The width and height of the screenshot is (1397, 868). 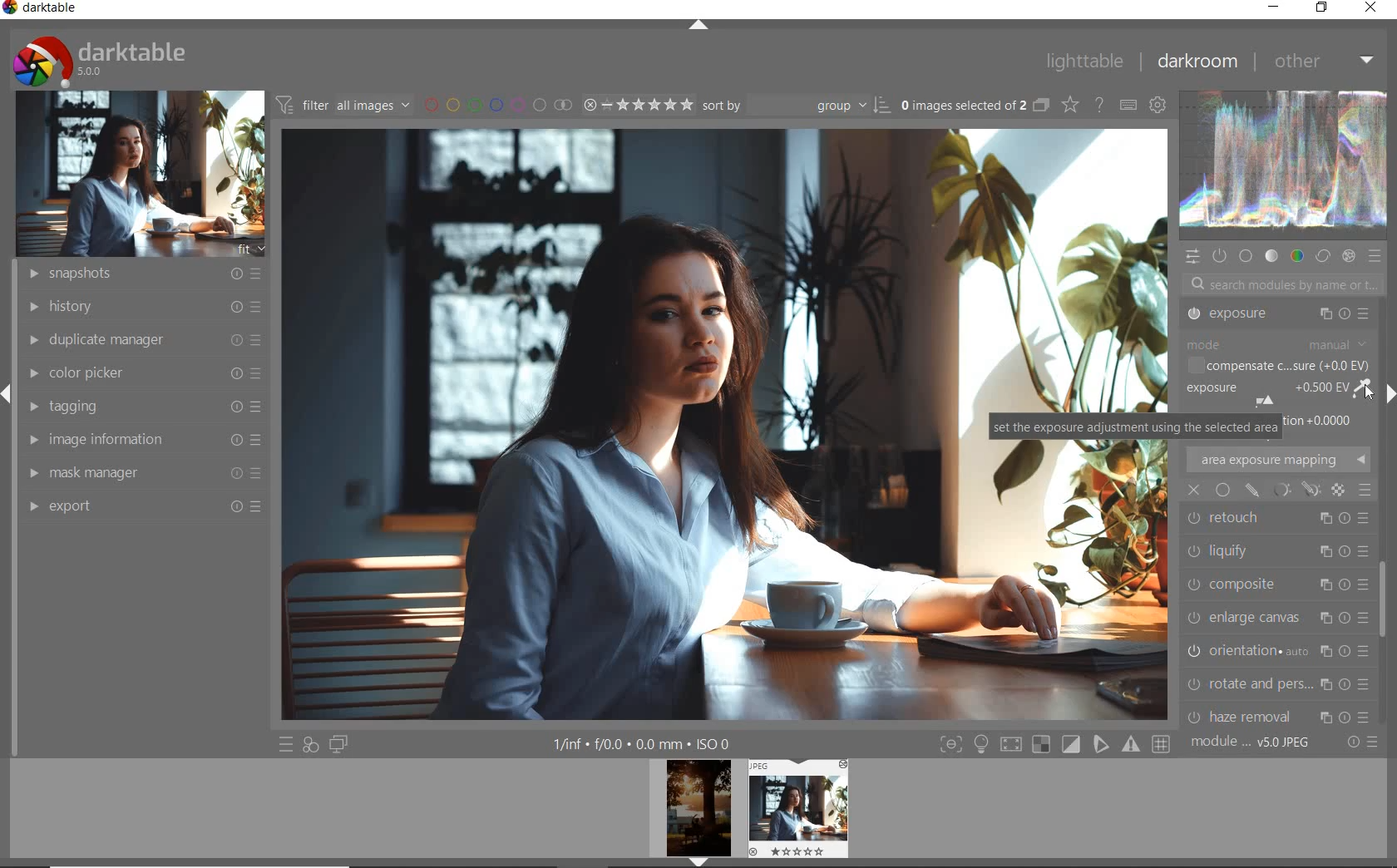 I want to click on CORRECT, so click(x=1322, y=254).